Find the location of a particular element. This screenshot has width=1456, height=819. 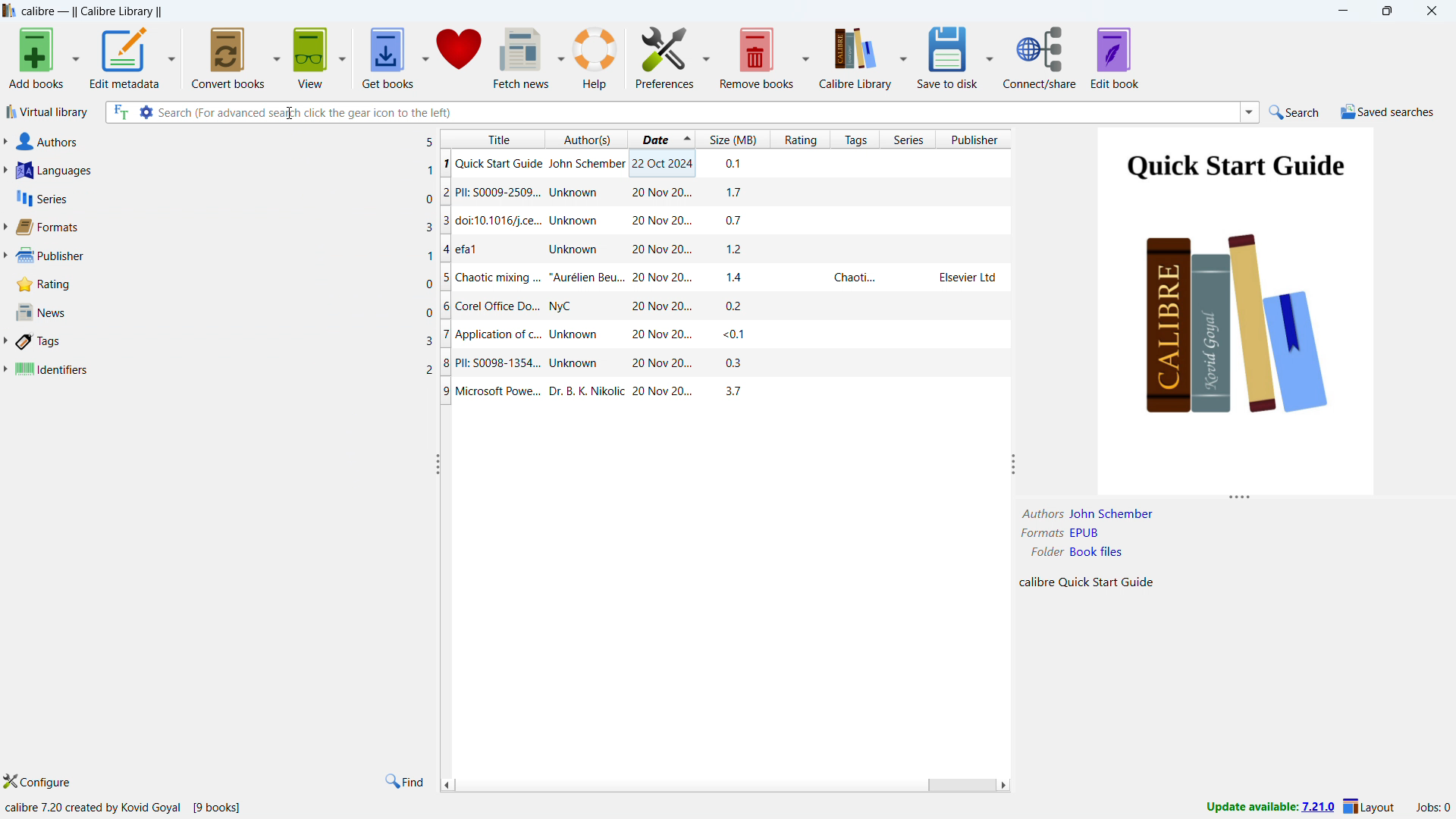

Formats is located at coordinates (1038, 535).